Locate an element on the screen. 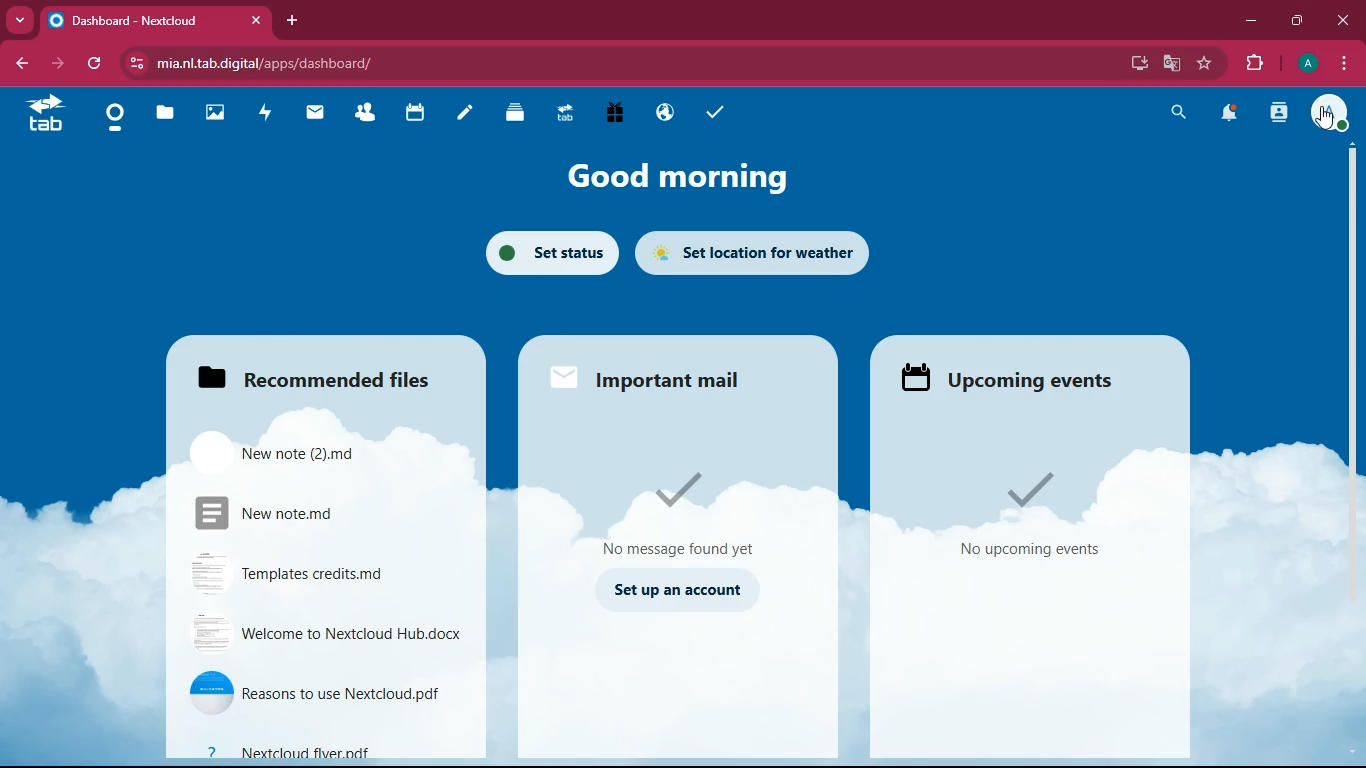 The image size is (1366, 768). forward is located at coordinates (60, 66).